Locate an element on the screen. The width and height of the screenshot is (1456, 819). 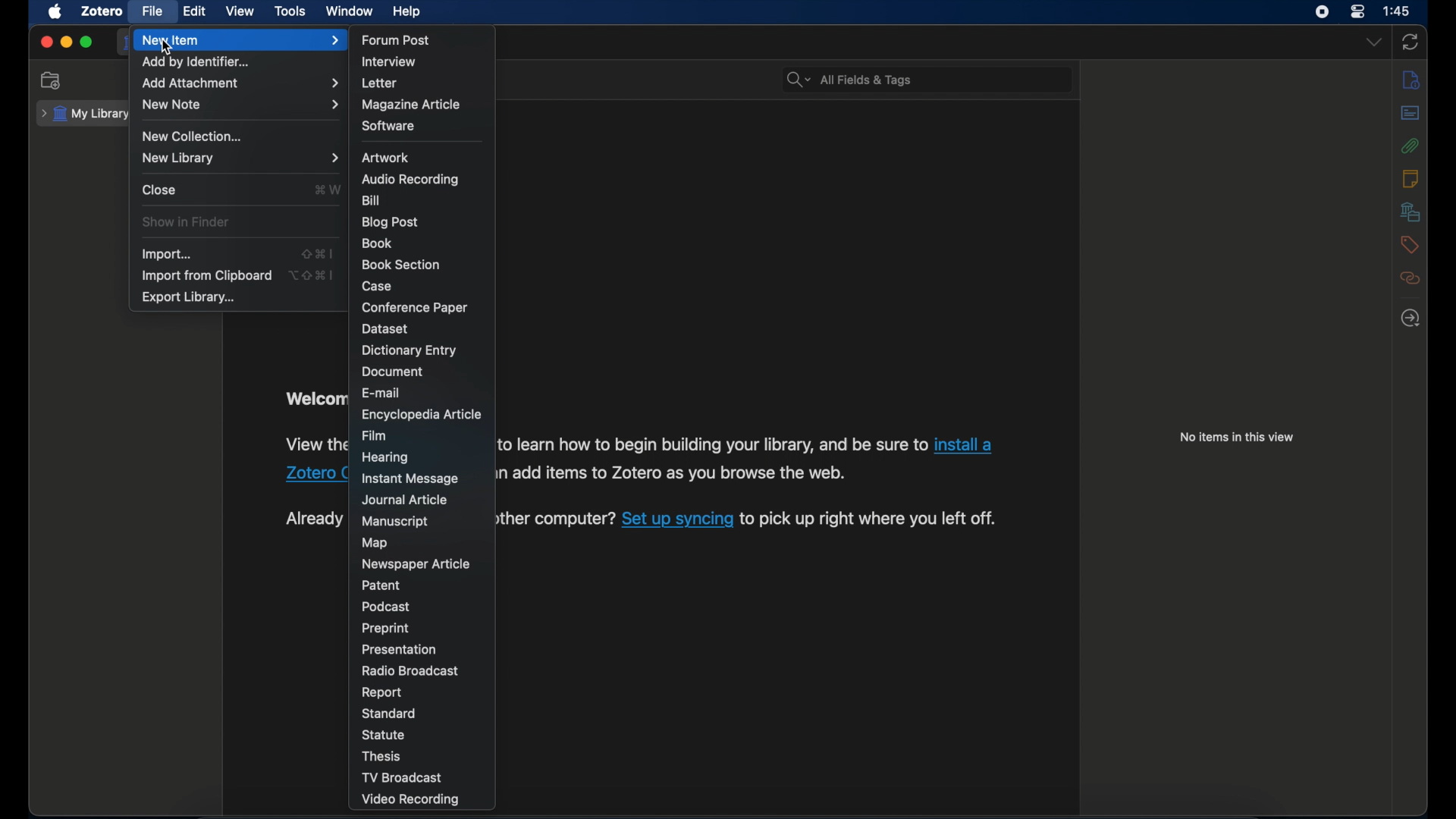
view is located at coordinates (241, 11).